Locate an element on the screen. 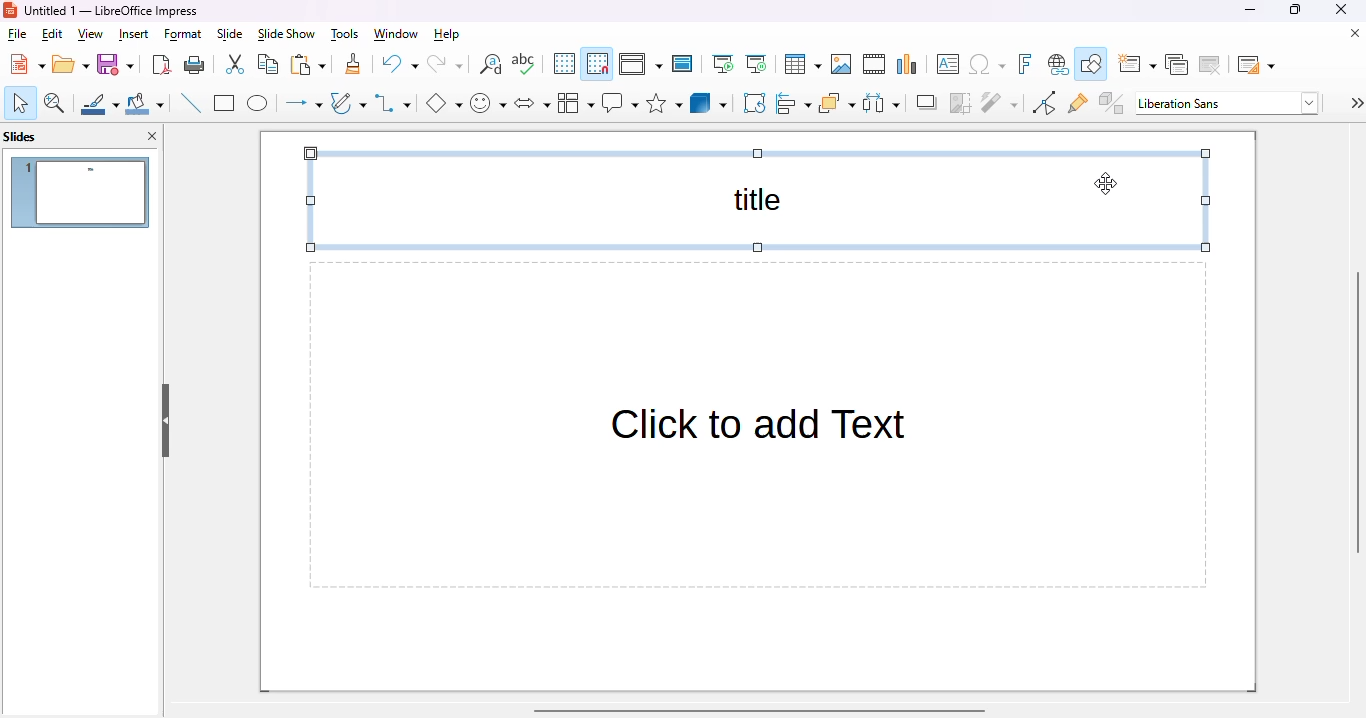  curves and polygons is located at coordinates (348, 103).